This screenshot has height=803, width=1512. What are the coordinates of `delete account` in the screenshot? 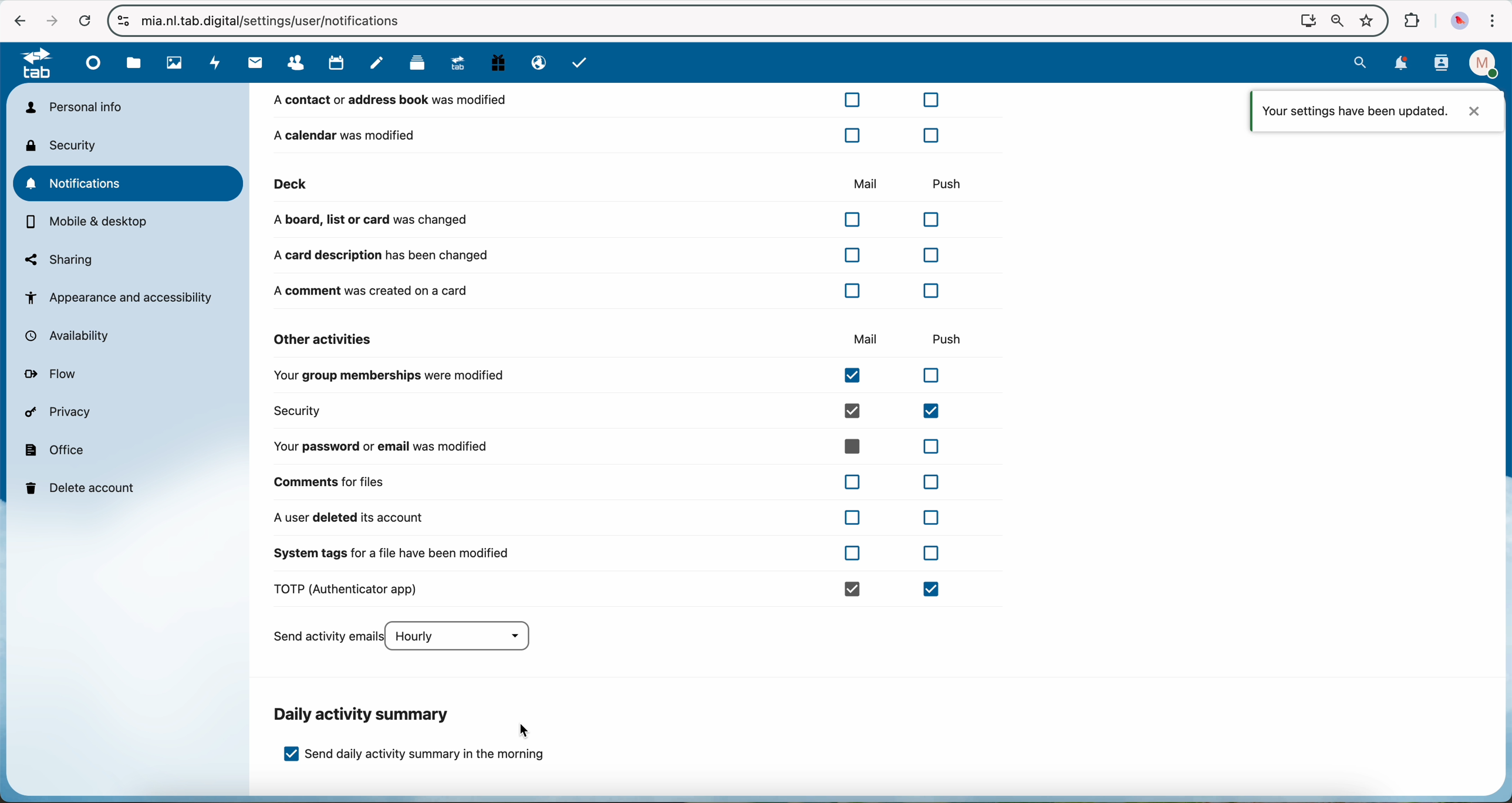 It's located at (83, 487).